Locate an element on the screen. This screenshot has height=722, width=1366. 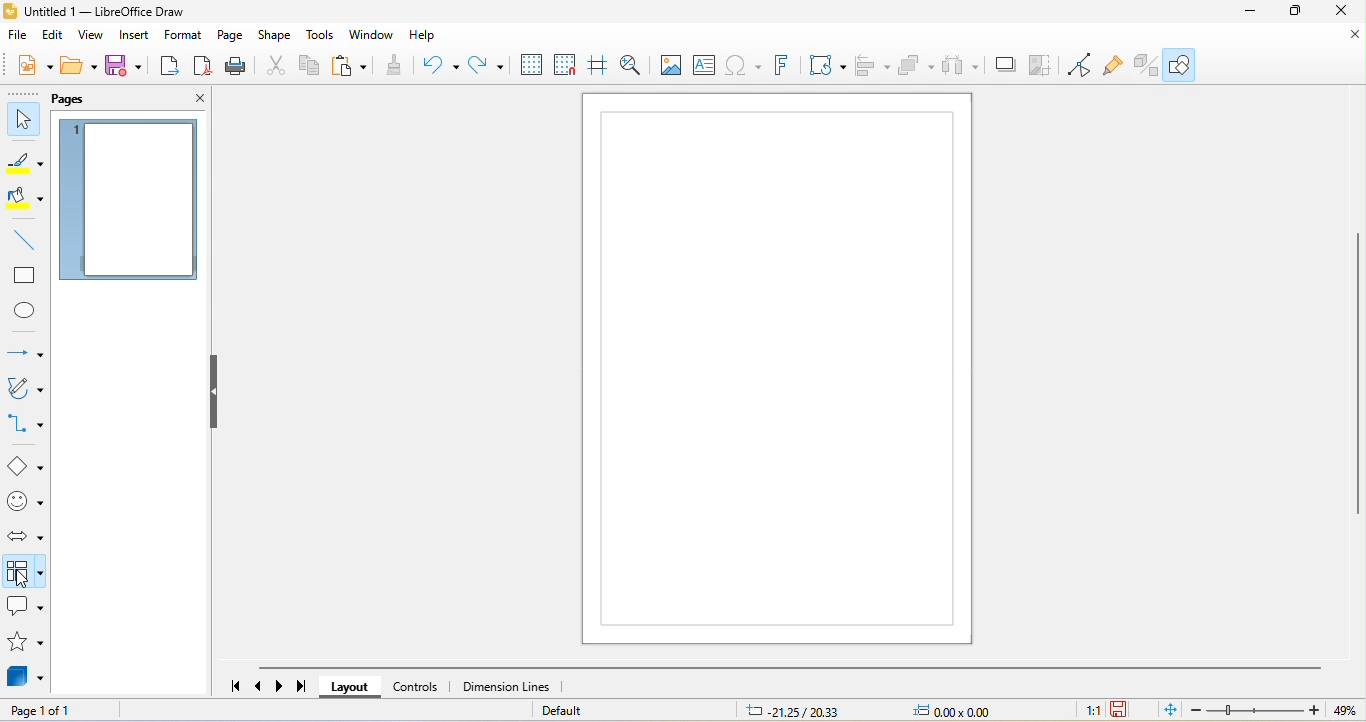
paste is located at coordinates (349, 68).